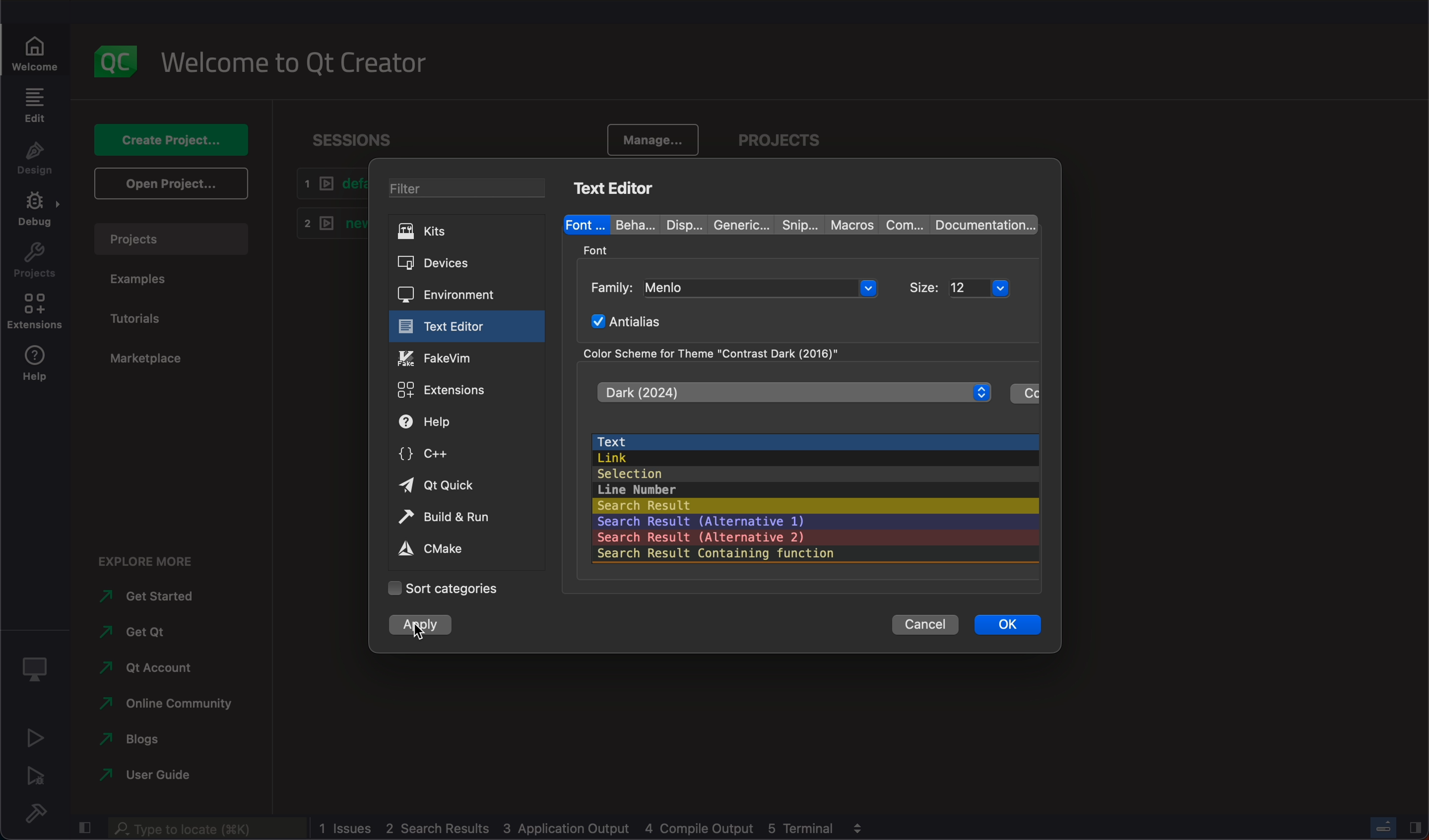 This screenshot has height=840, width=1429. I want to click on open , so click(170, 186).